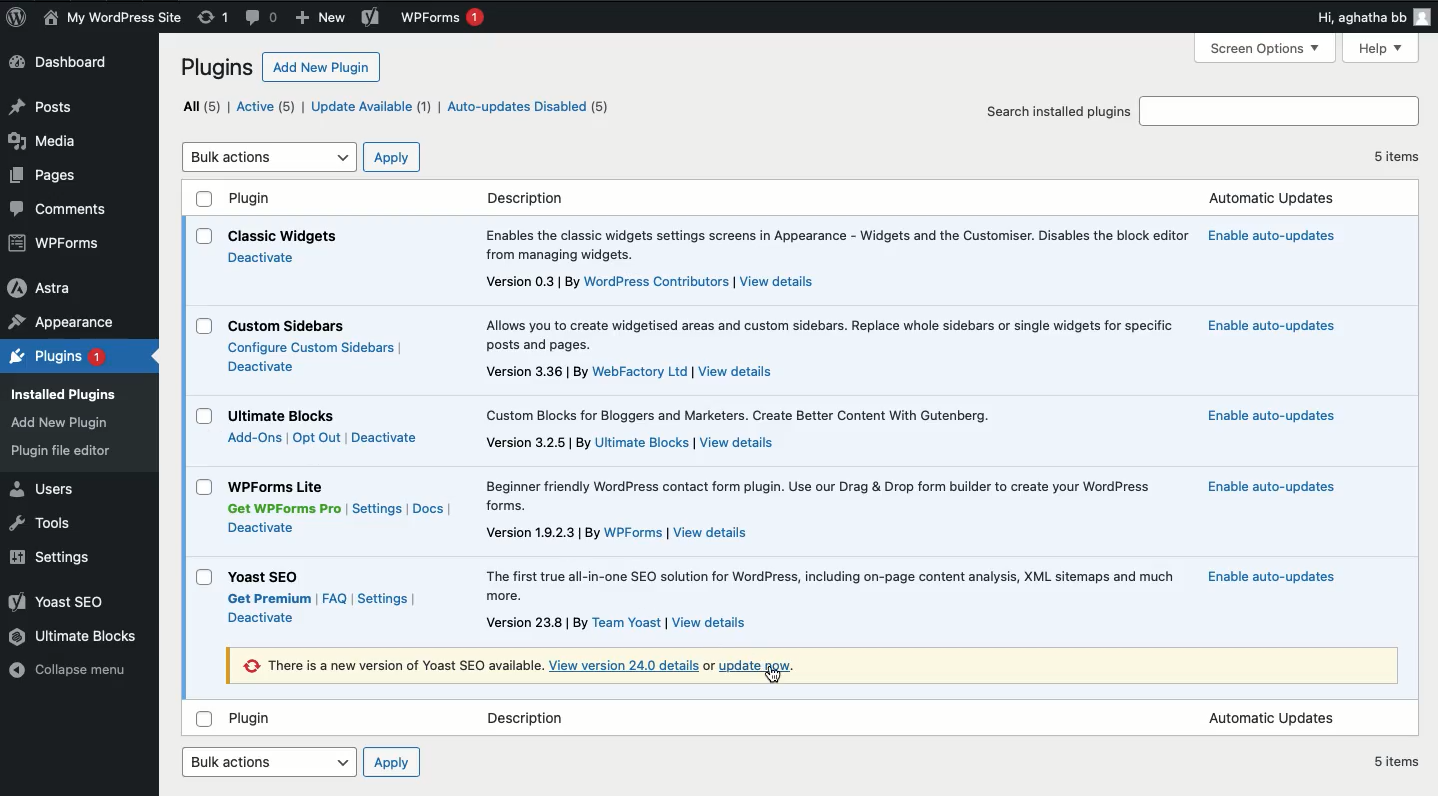 Image resolution: width=1438 pixels, height=796 pixels. I want to click on WPForms, so click(66, 242).